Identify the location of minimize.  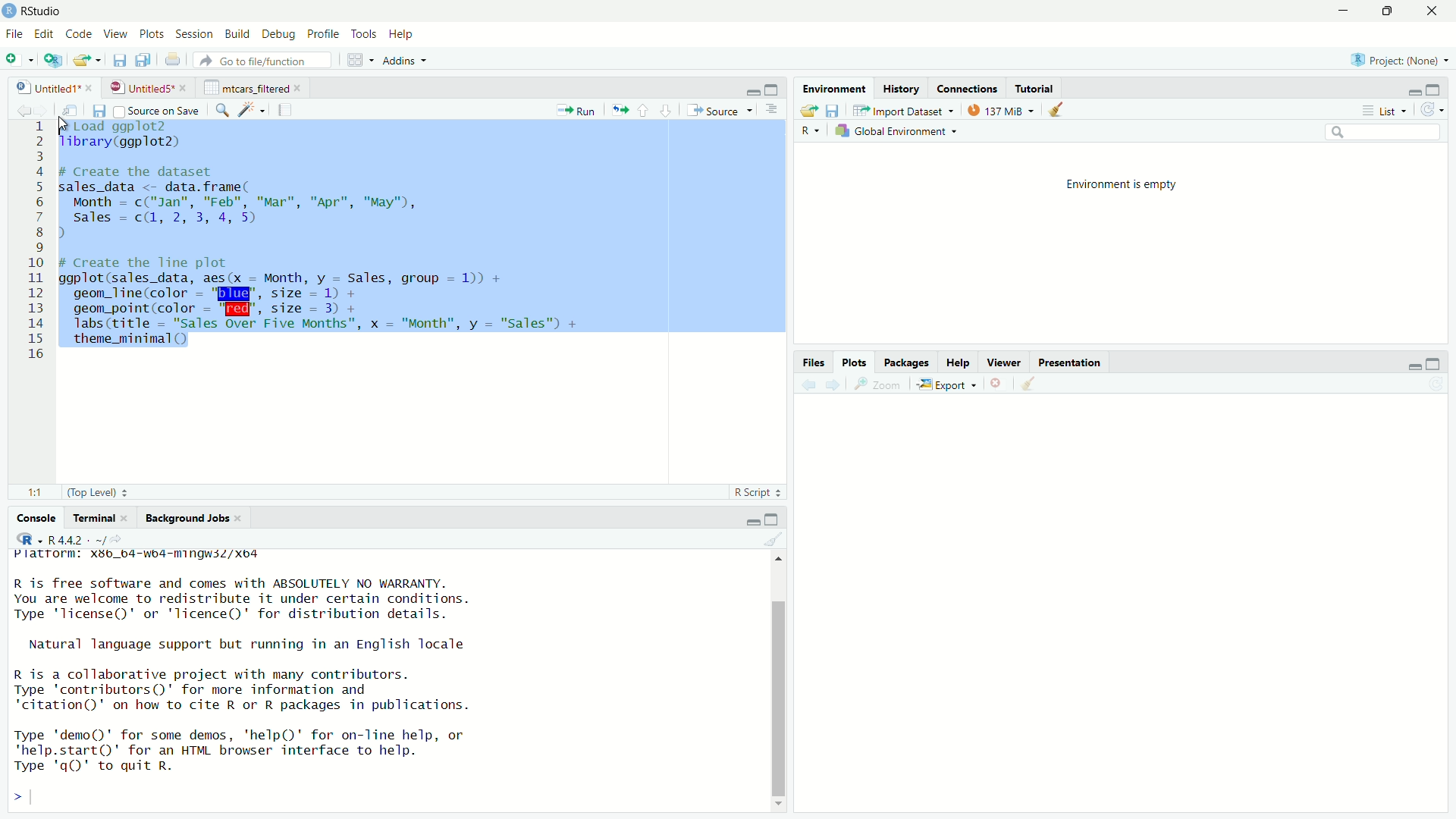
(1414, 90).